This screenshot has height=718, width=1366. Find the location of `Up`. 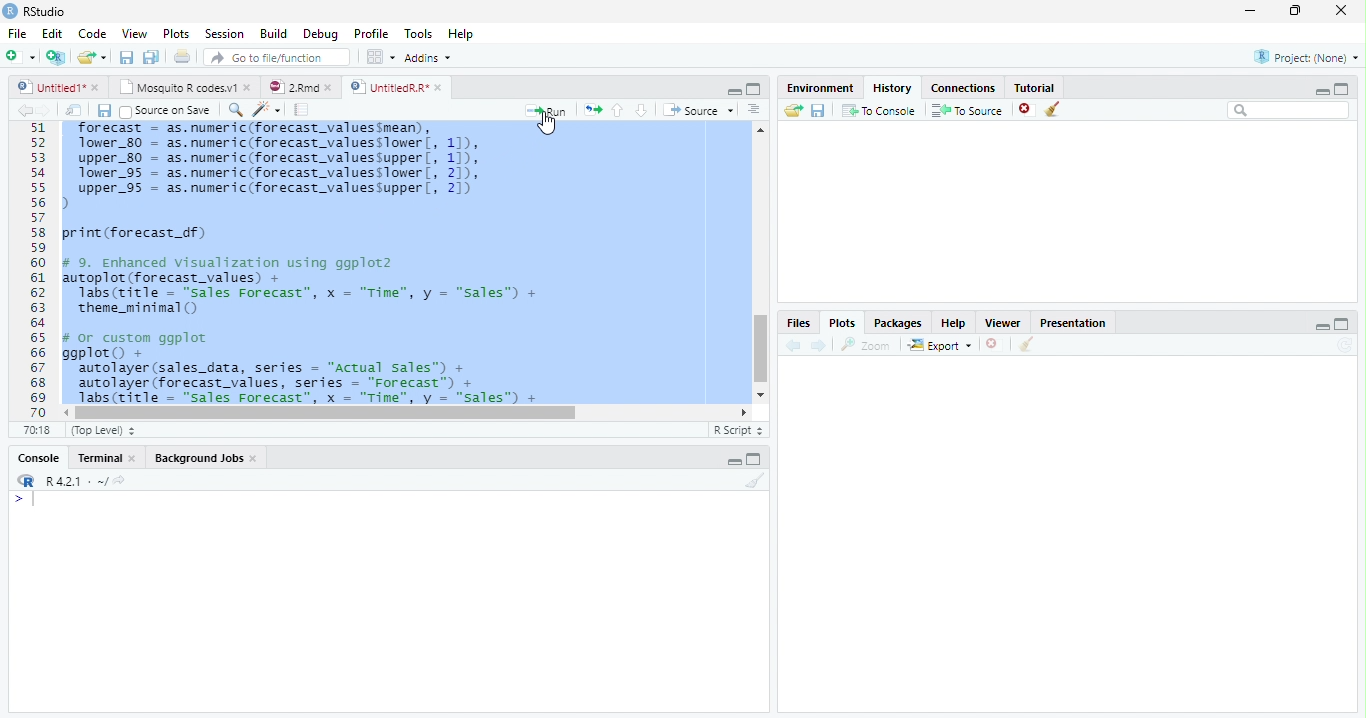

Up is located at coordinates (618, 109).